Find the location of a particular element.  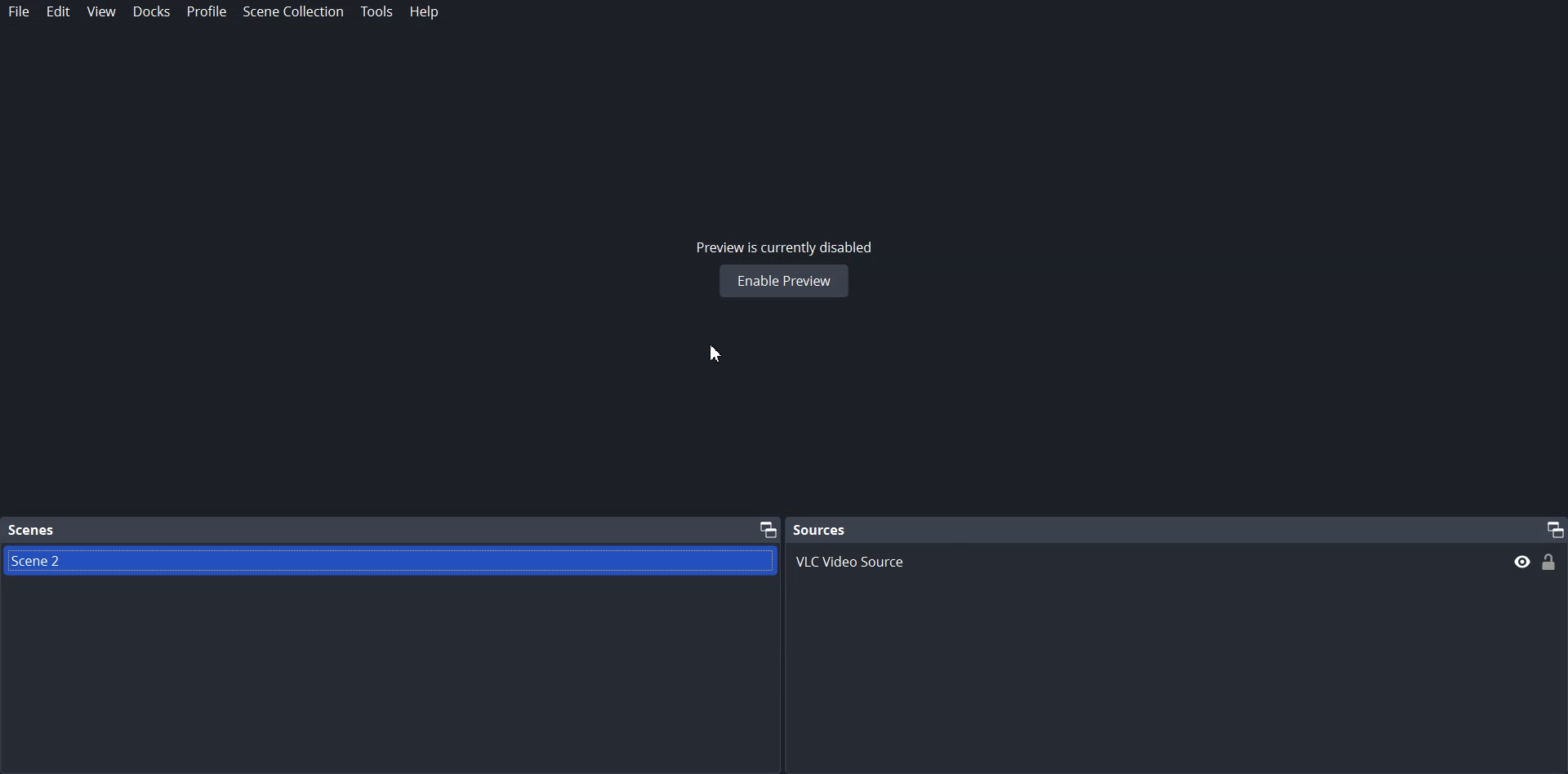

Scene file is located at coordinates (390, 560).